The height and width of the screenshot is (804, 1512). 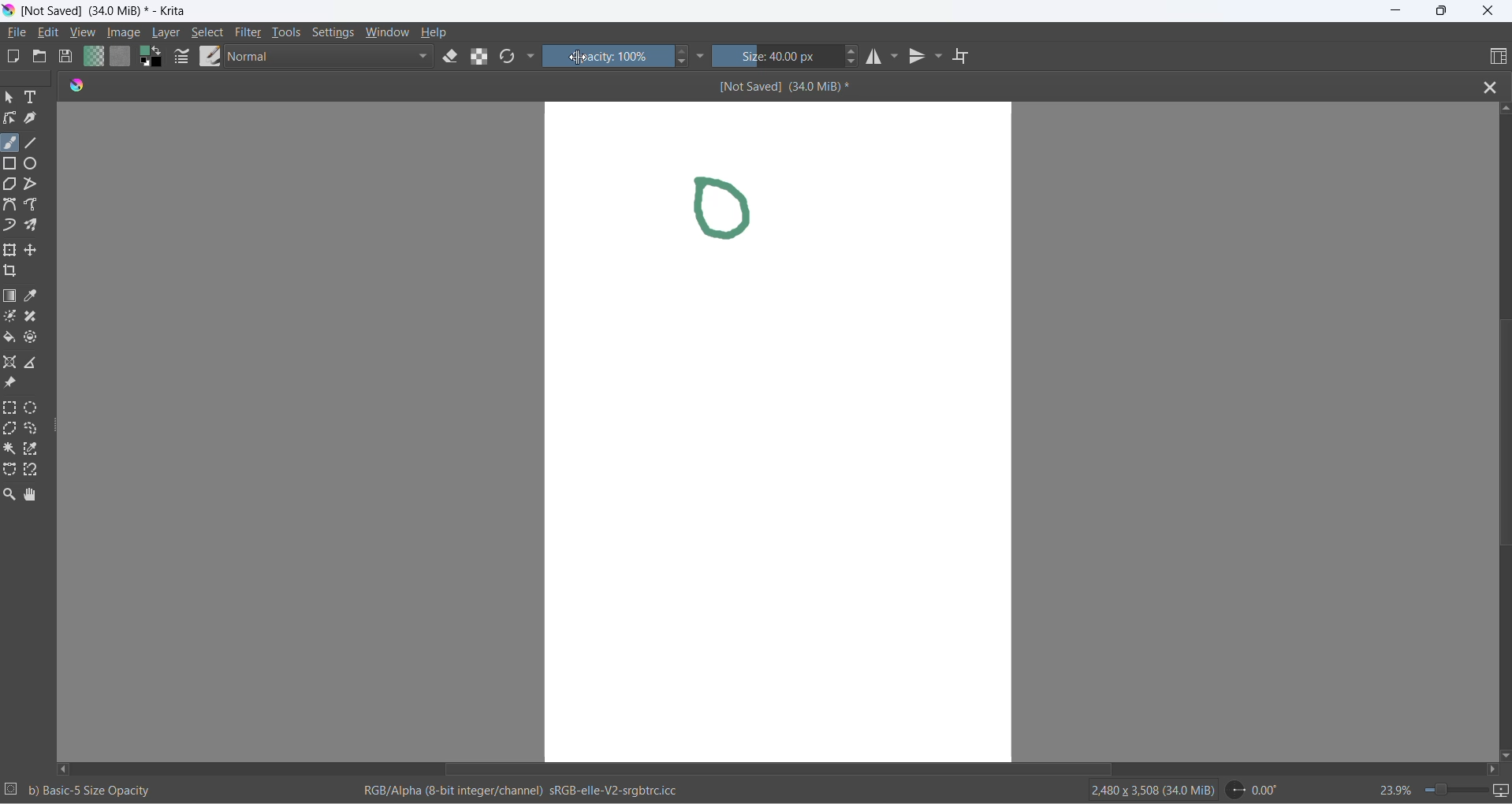 What do you see at coordinates (1456, 791) in the screenshot?
I see `zoom slider` at bounding box center [1456, 791].